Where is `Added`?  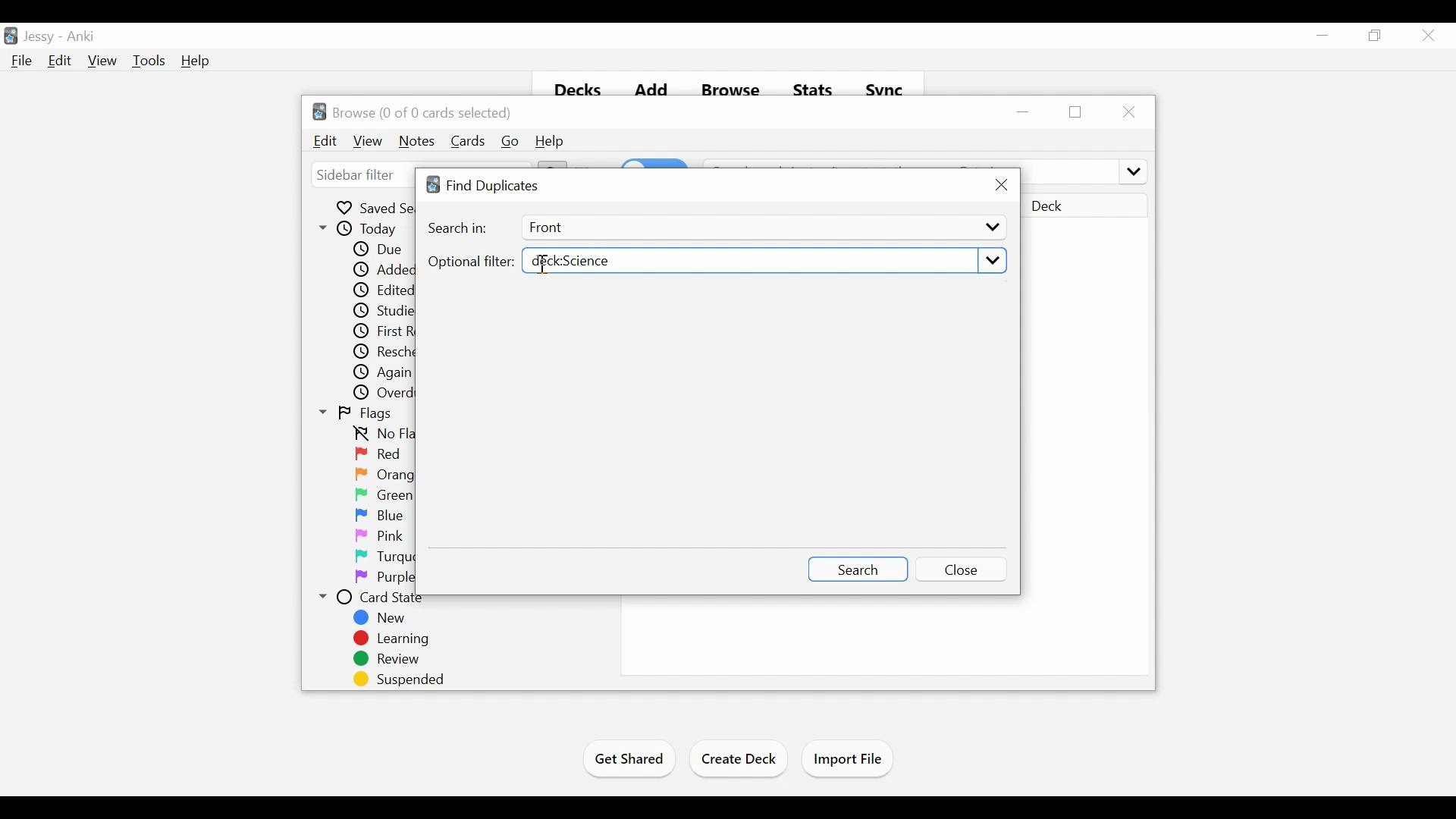 Added is located at coordinates (380, 271).